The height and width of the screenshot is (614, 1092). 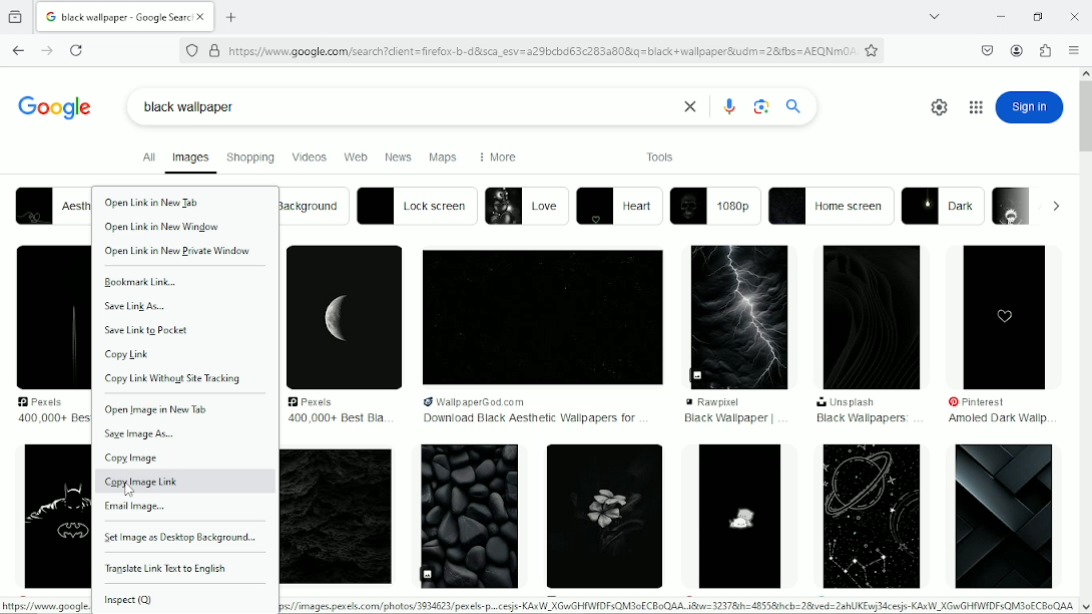 I want to click on scroll down, so click(x=1085, y=607).